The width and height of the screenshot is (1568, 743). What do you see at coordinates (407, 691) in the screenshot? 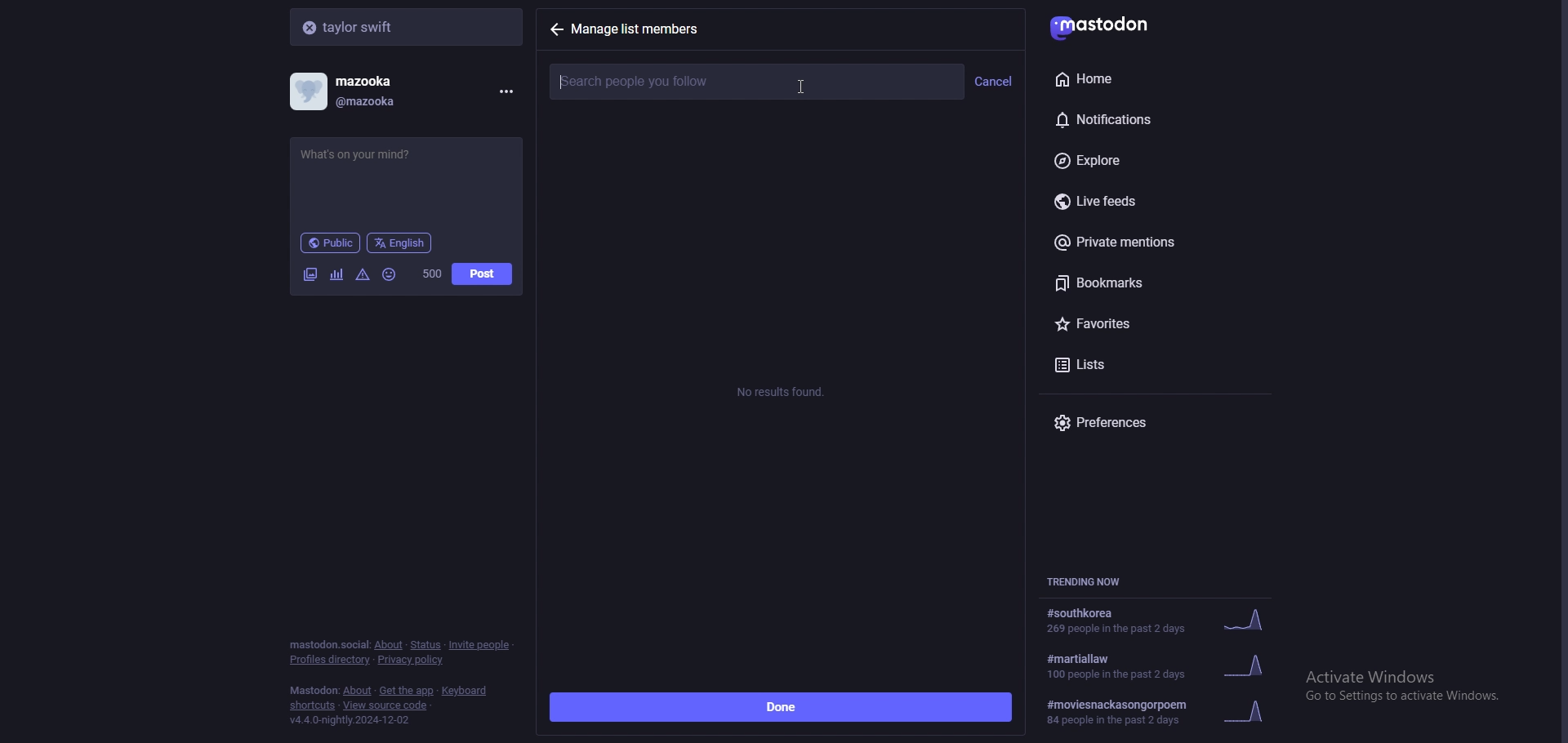
I see `get the app` at bounding box center [407, 691].